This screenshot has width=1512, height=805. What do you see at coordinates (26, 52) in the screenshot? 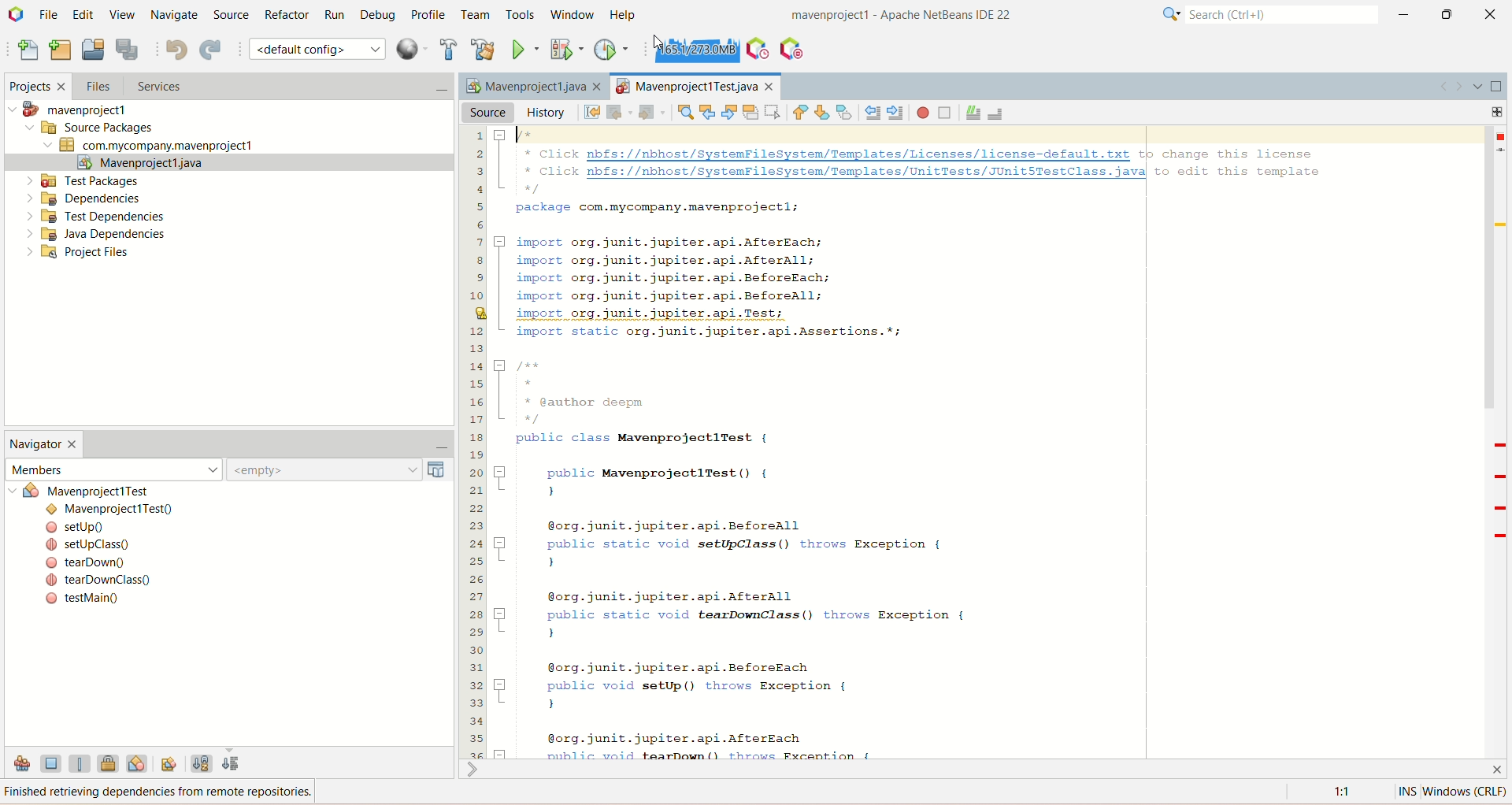
I see `new file` at bounding box center [26, 52].